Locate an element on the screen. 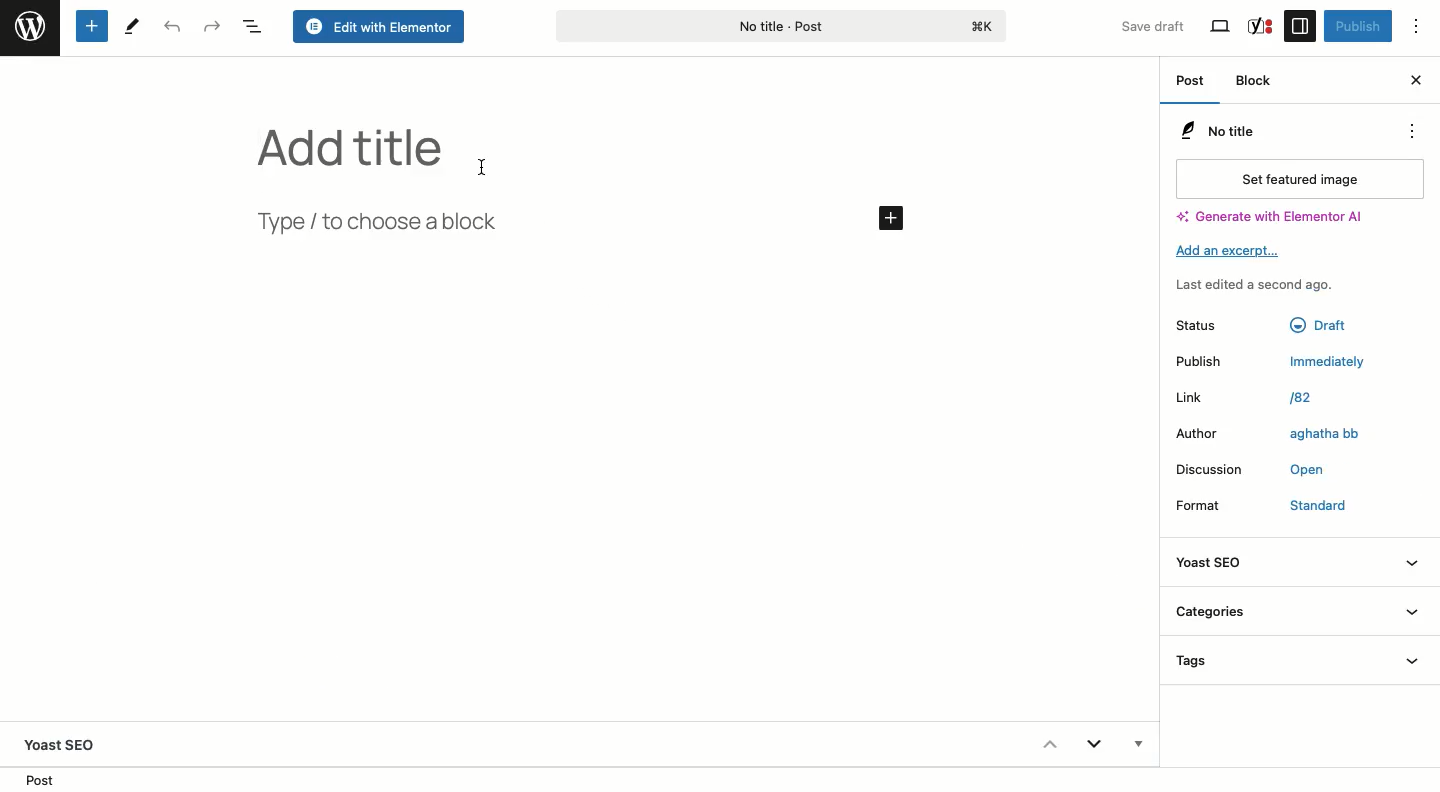 The image size is (1440, 792). Open is located at coordinates (1306, 468).